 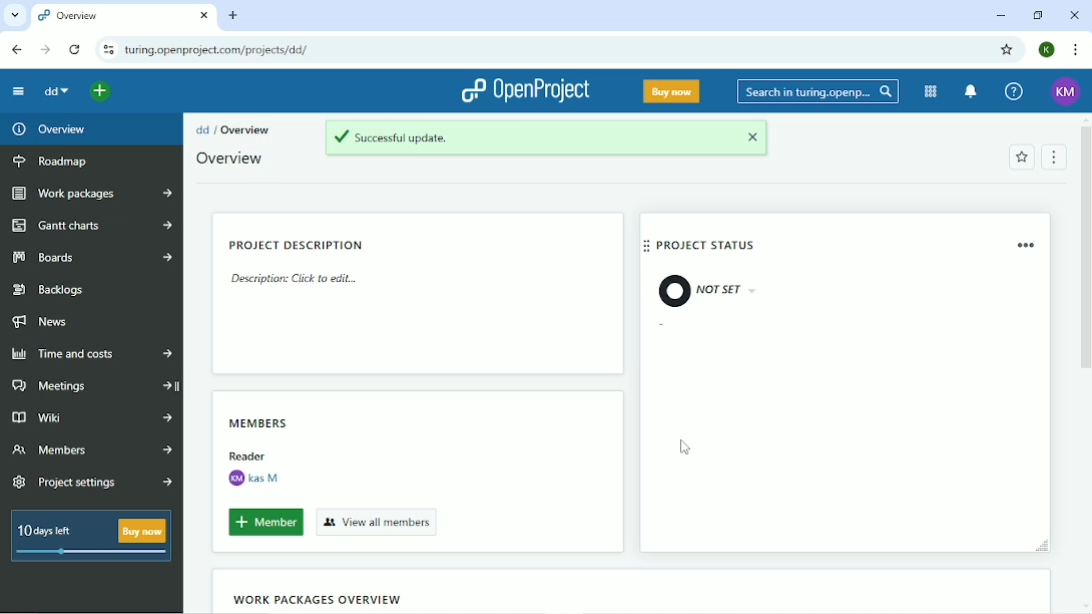 I want to click on Forward, so click(x=44, y=50).